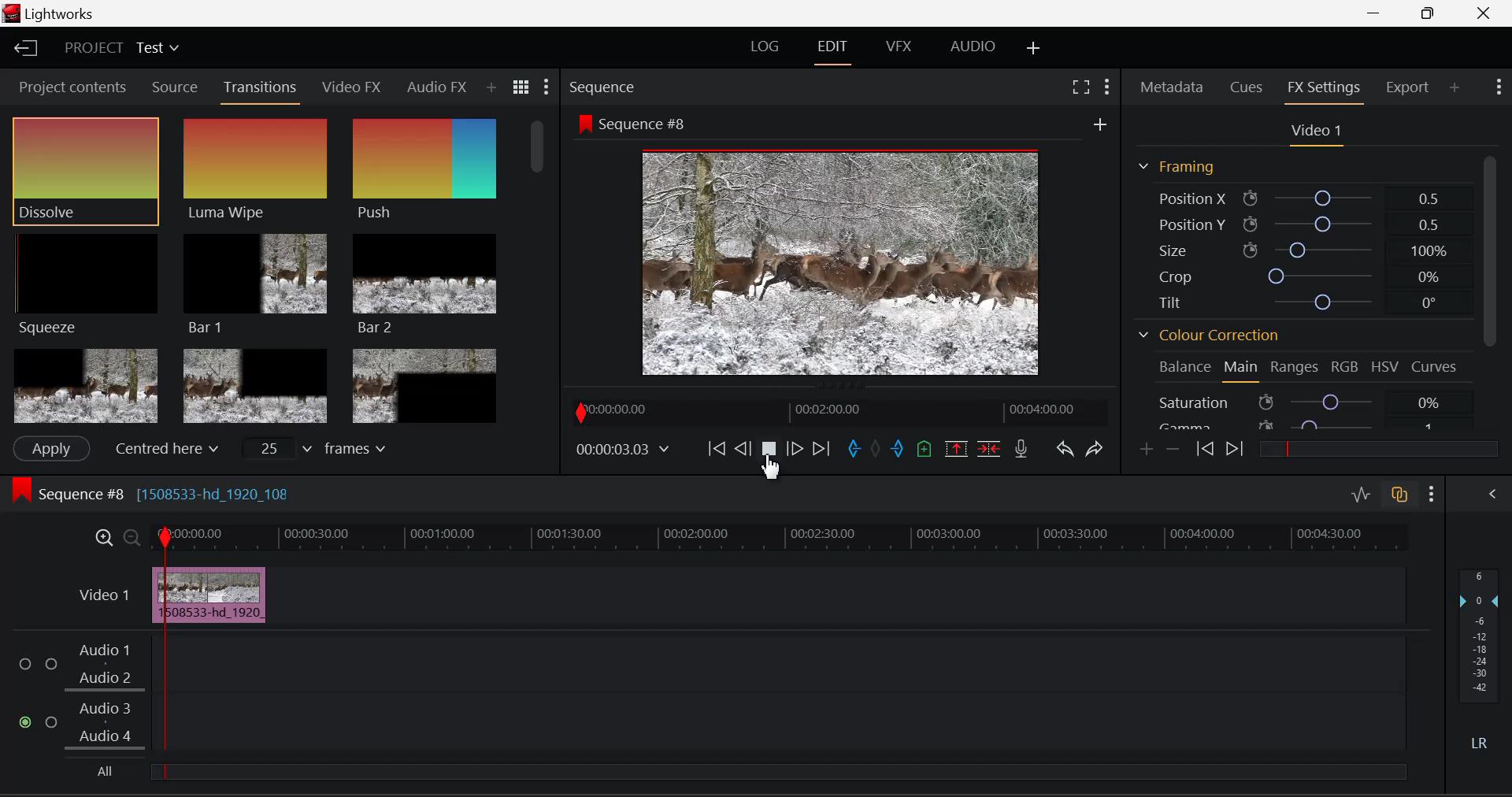 This screenshot has width=1512, height=797. What do you see at coordinates (1172, 88) in the screenshot?
I see `Metadata` at bounding box center [1172, 88].